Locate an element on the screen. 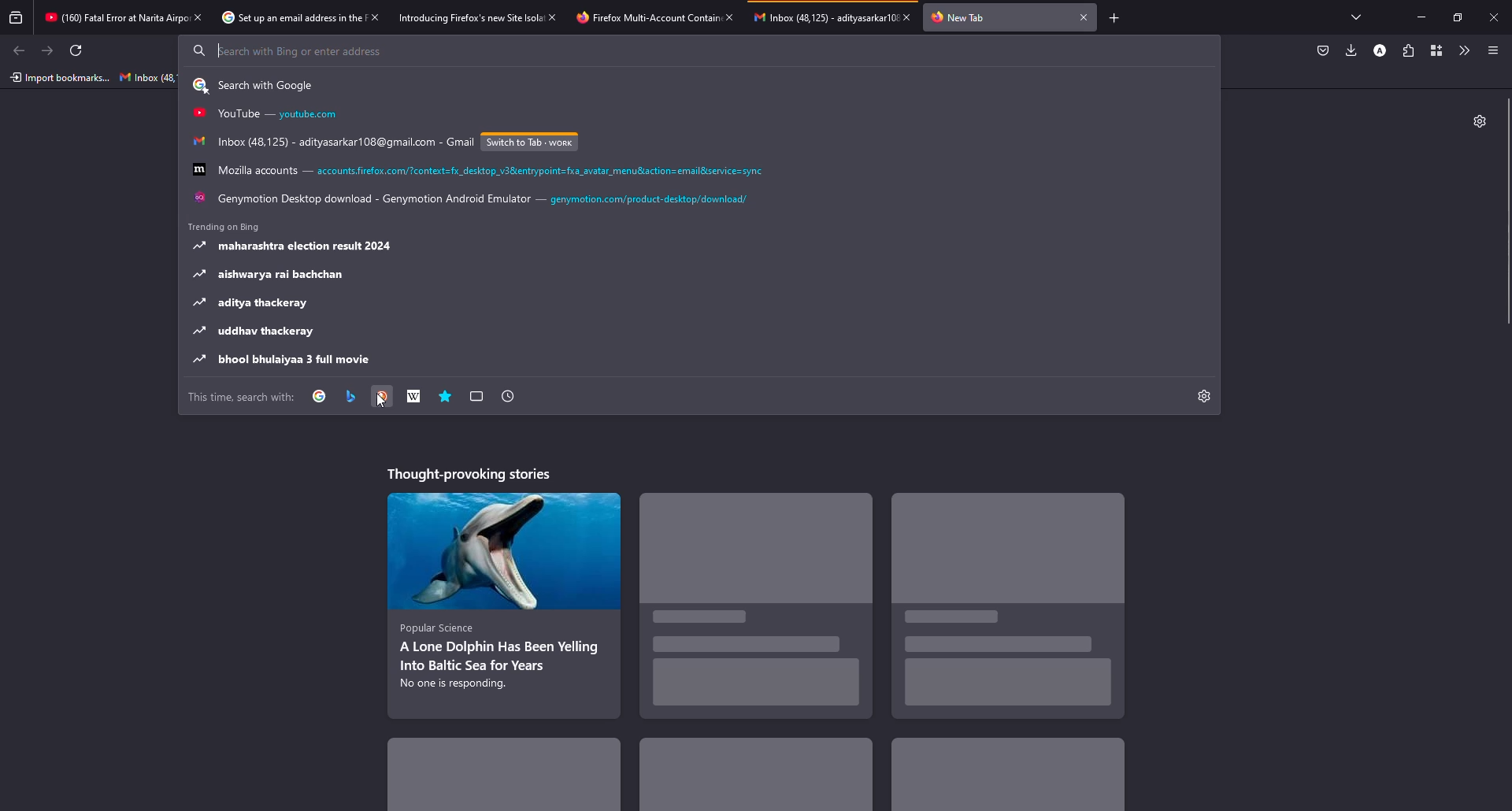  add is located at coordinates (1115, 19).